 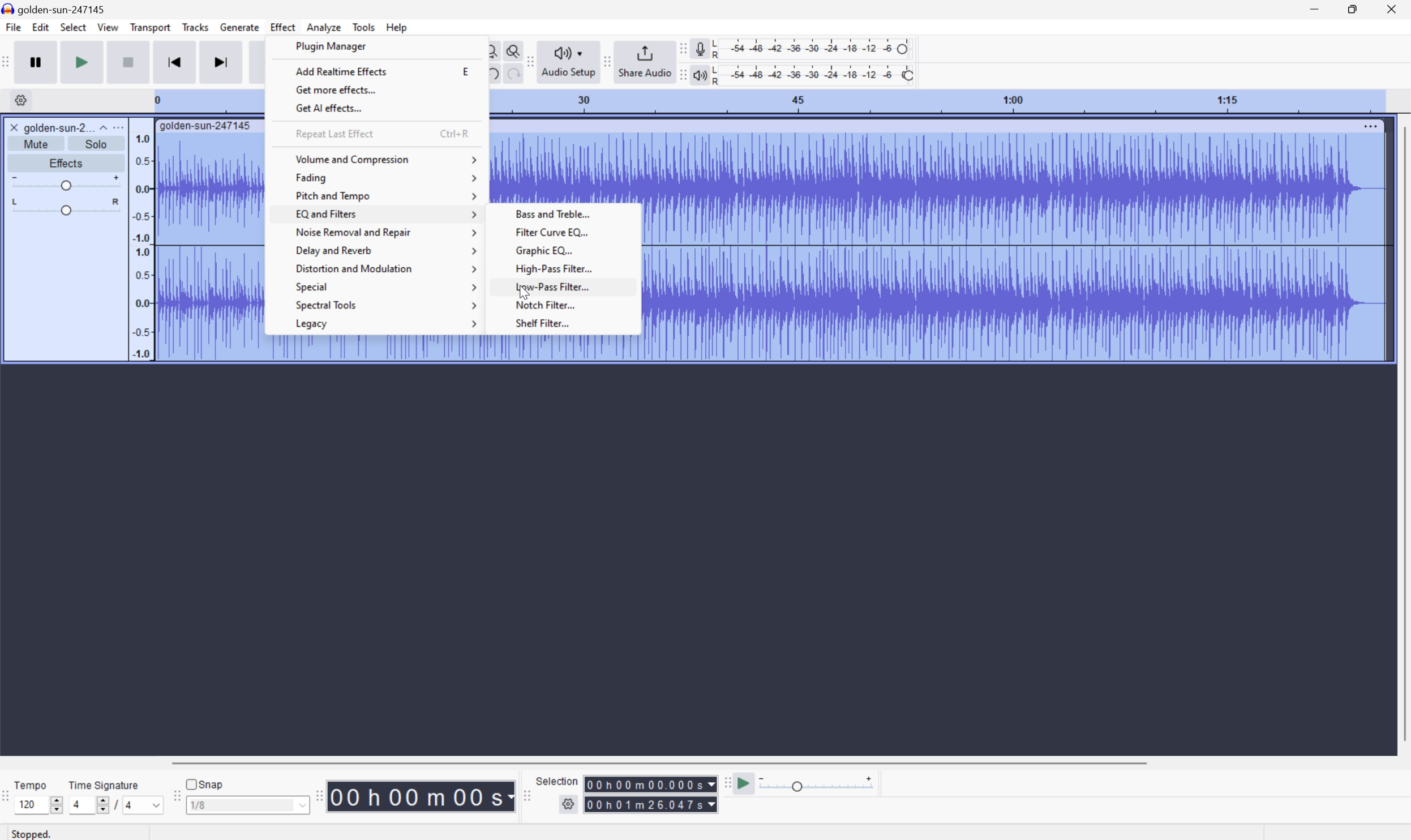 I want to click on Add realtime effects, so click(x=341, y=71).